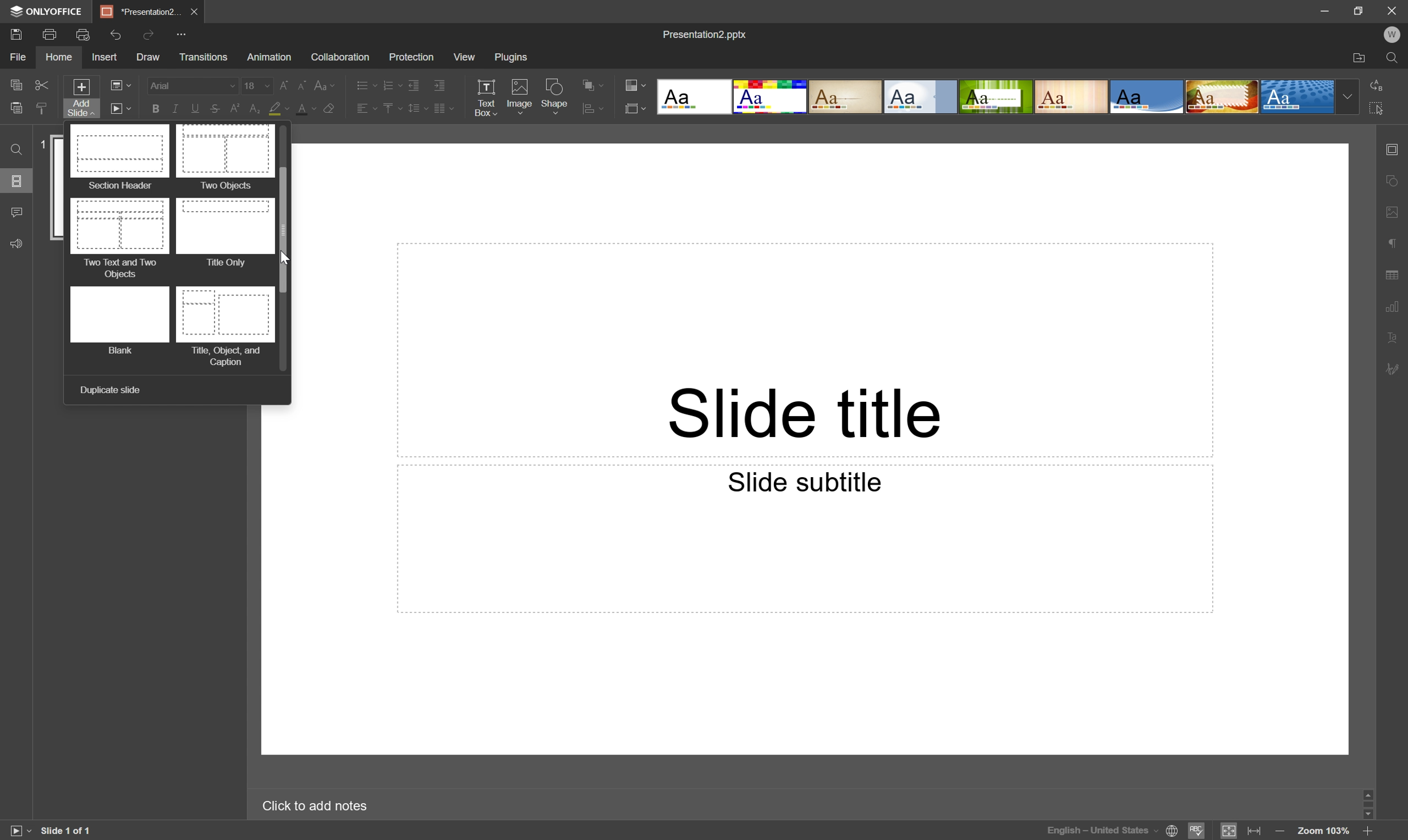  I want to click on Duplicate slide, so click(110, 391).